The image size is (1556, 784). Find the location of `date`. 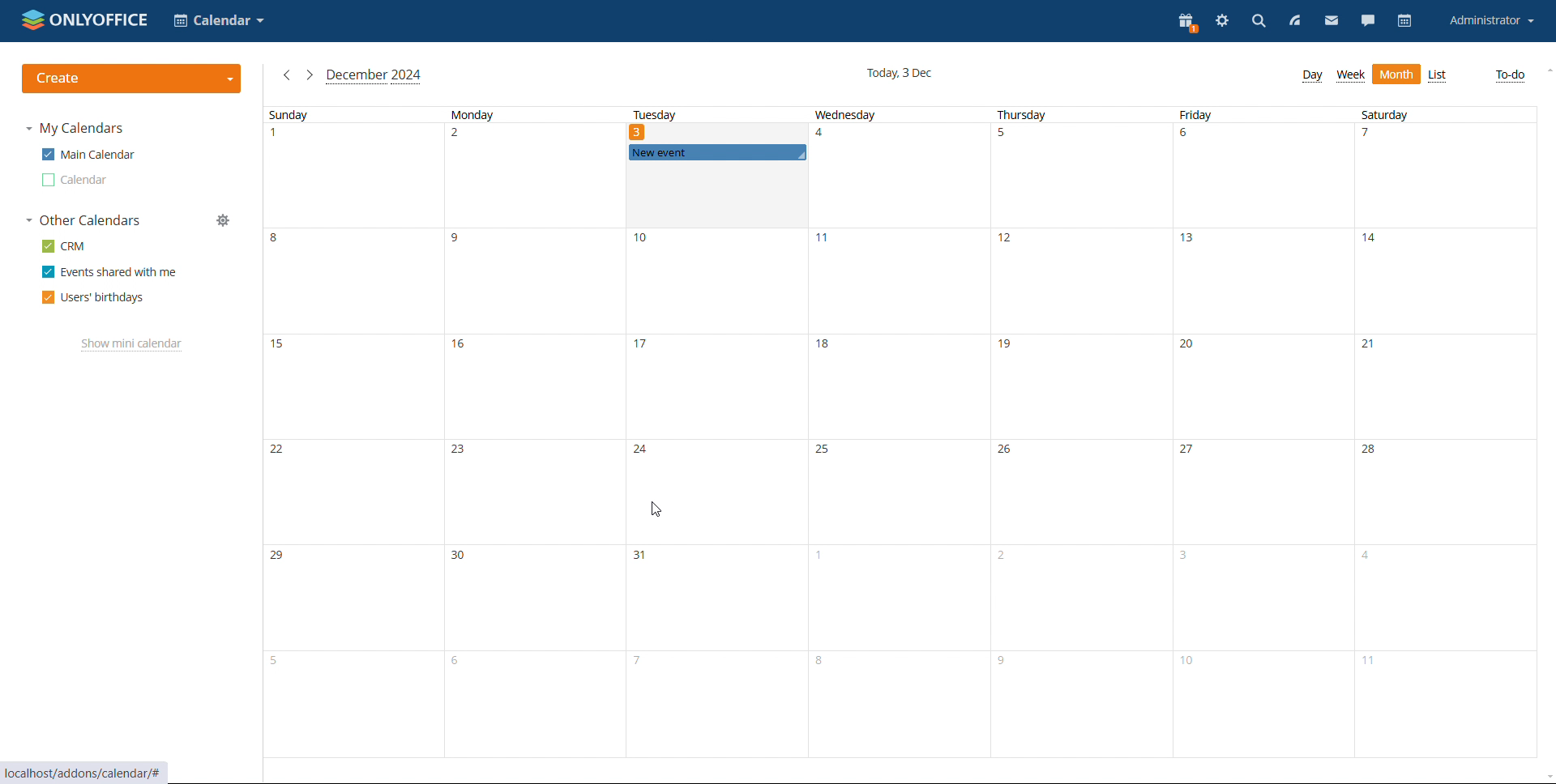

date is located at coordinates (1270, 598).